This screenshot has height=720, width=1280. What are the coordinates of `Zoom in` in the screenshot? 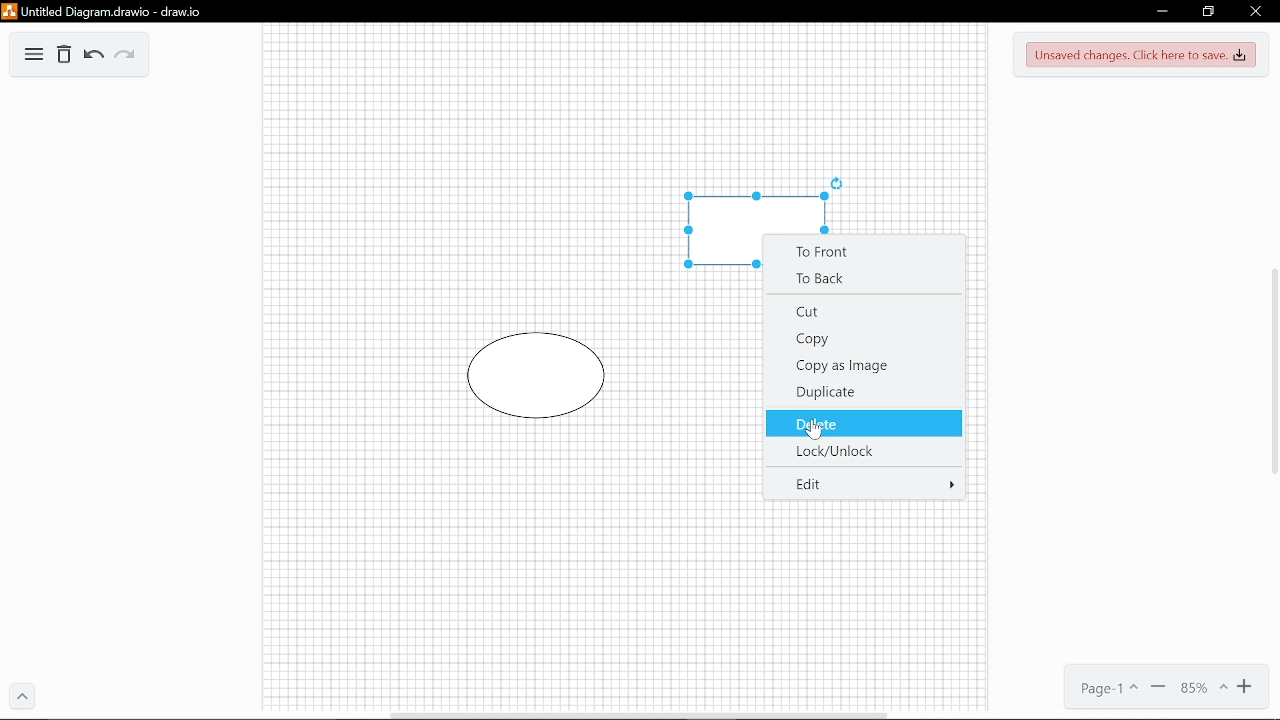 It's located at (1248, 690).